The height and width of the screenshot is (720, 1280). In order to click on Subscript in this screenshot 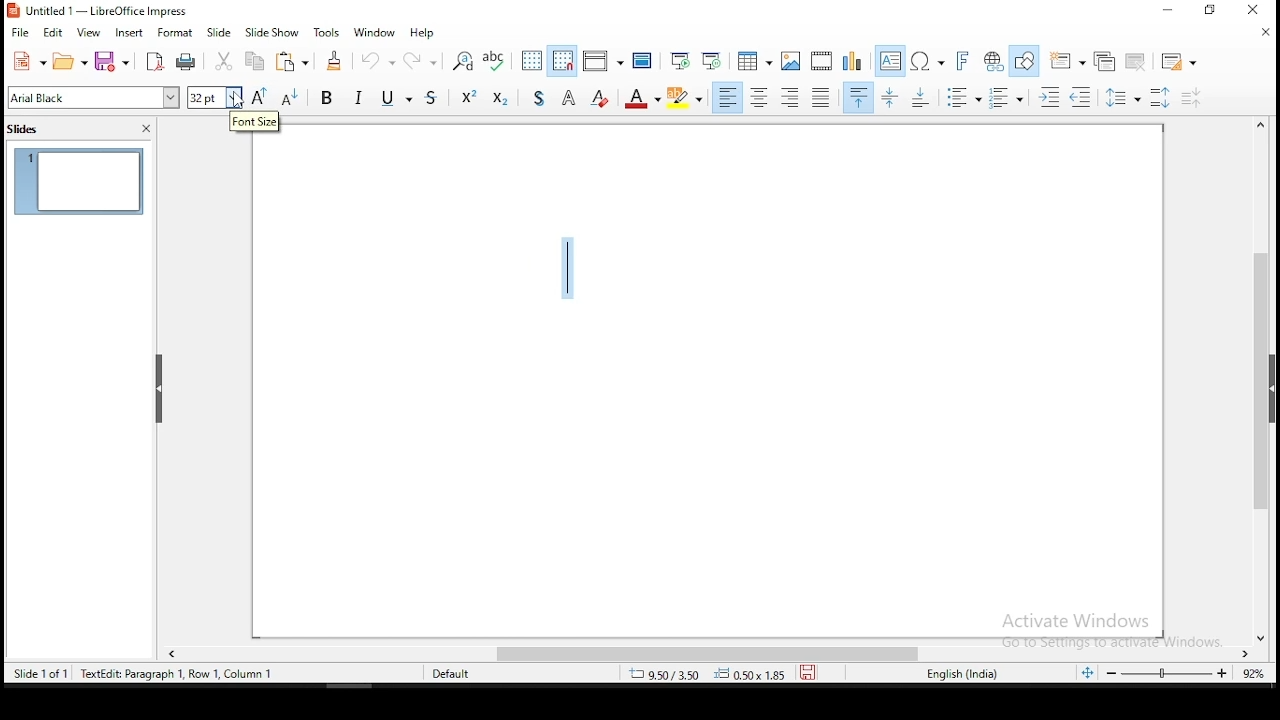, I will do `click(499, 96)`.